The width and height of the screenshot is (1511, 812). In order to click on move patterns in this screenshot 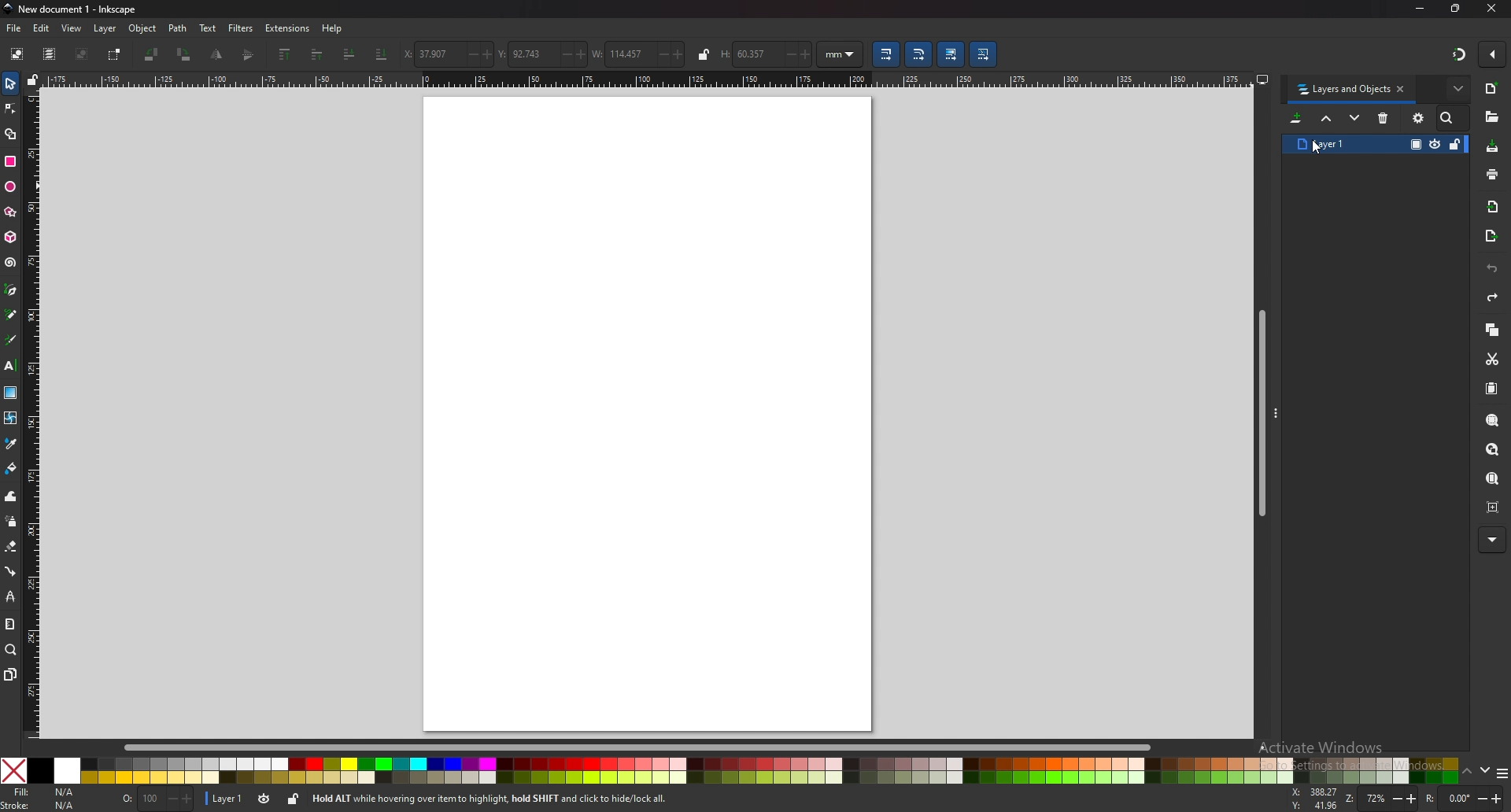, I will do `click(984, 54)`.